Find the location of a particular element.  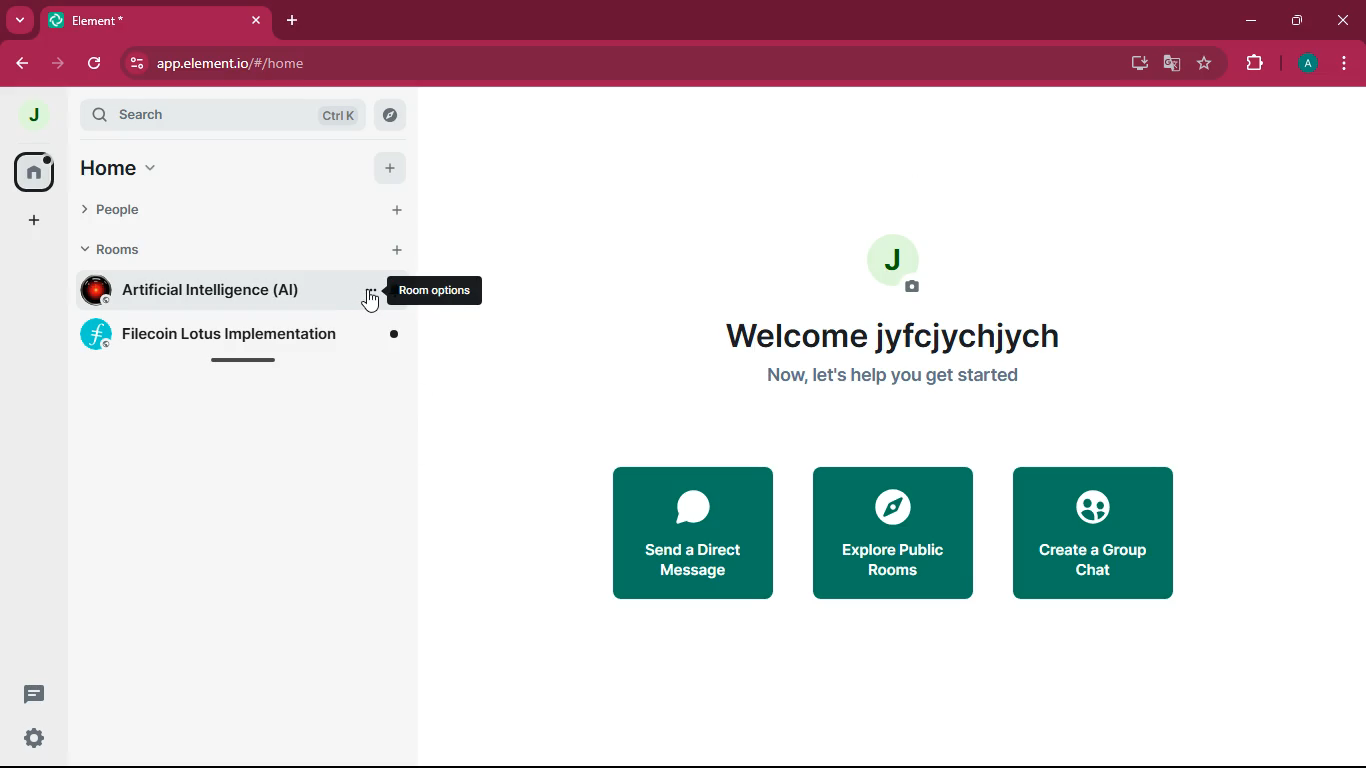

message is located at coordinates (33, 693).